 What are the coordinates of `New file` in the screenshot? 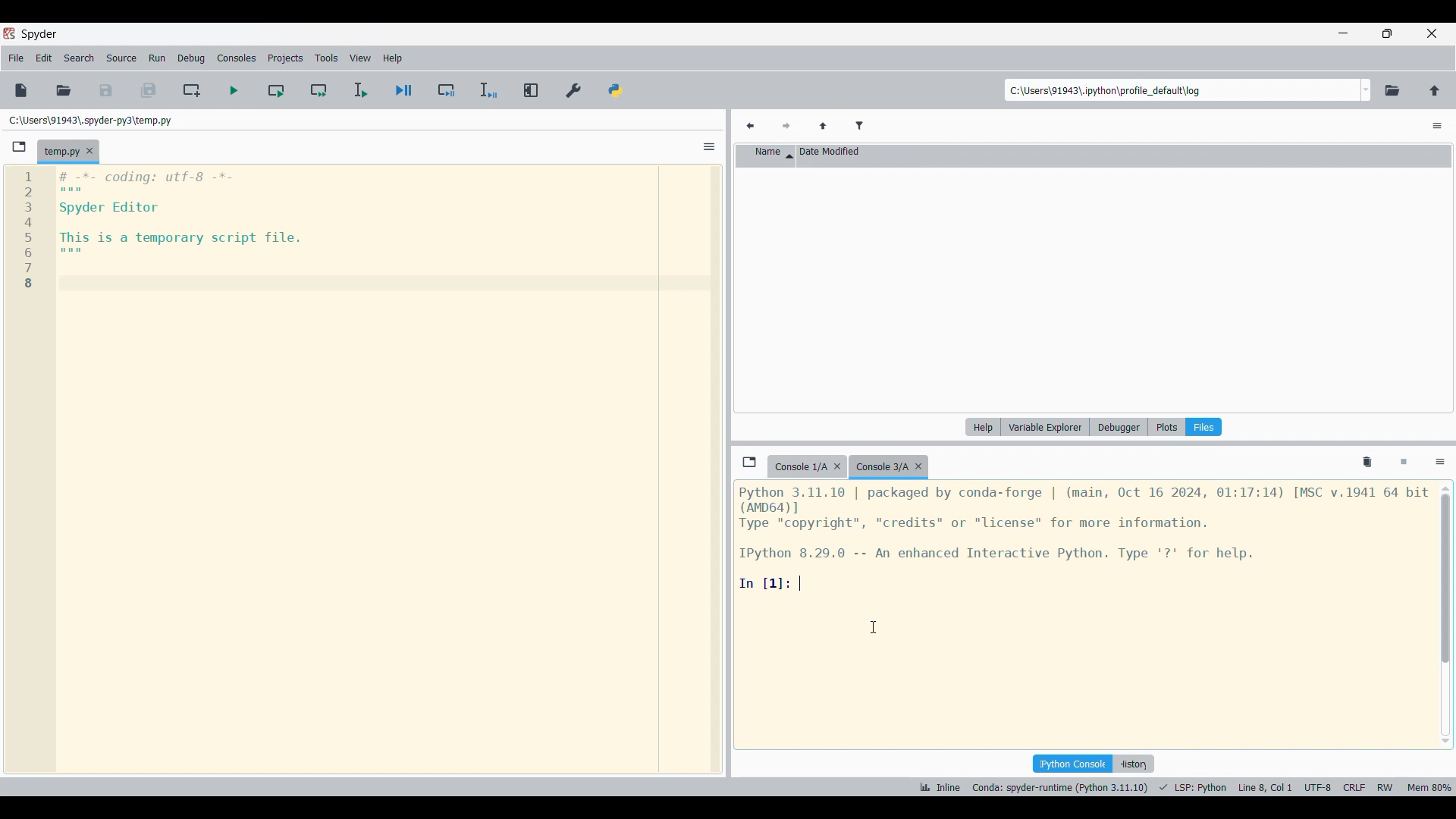 It's located at (21, 90).